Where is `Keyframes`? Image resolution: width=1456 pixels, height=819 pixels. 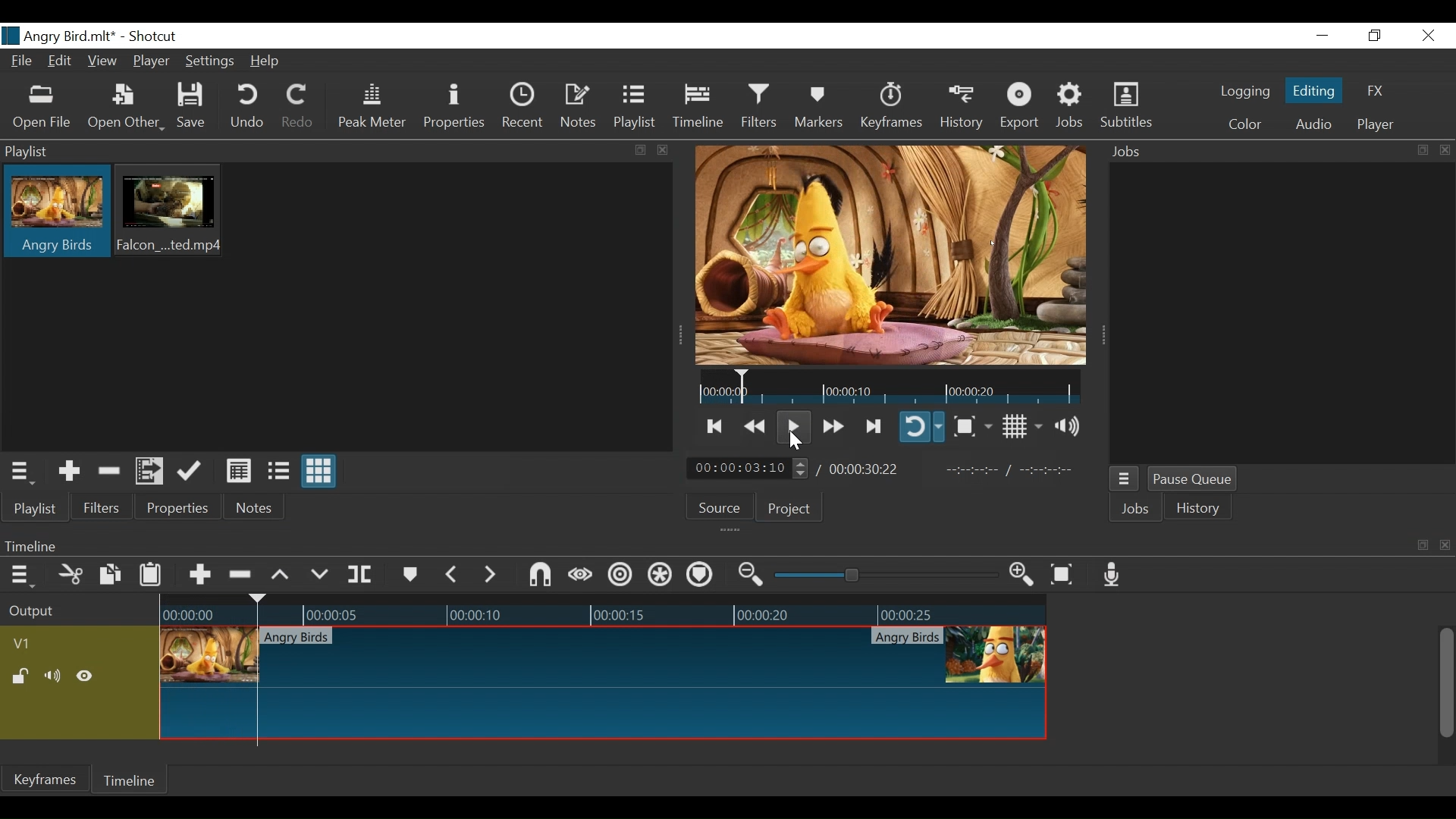
Keyframes is located at coordinates (891, 107).